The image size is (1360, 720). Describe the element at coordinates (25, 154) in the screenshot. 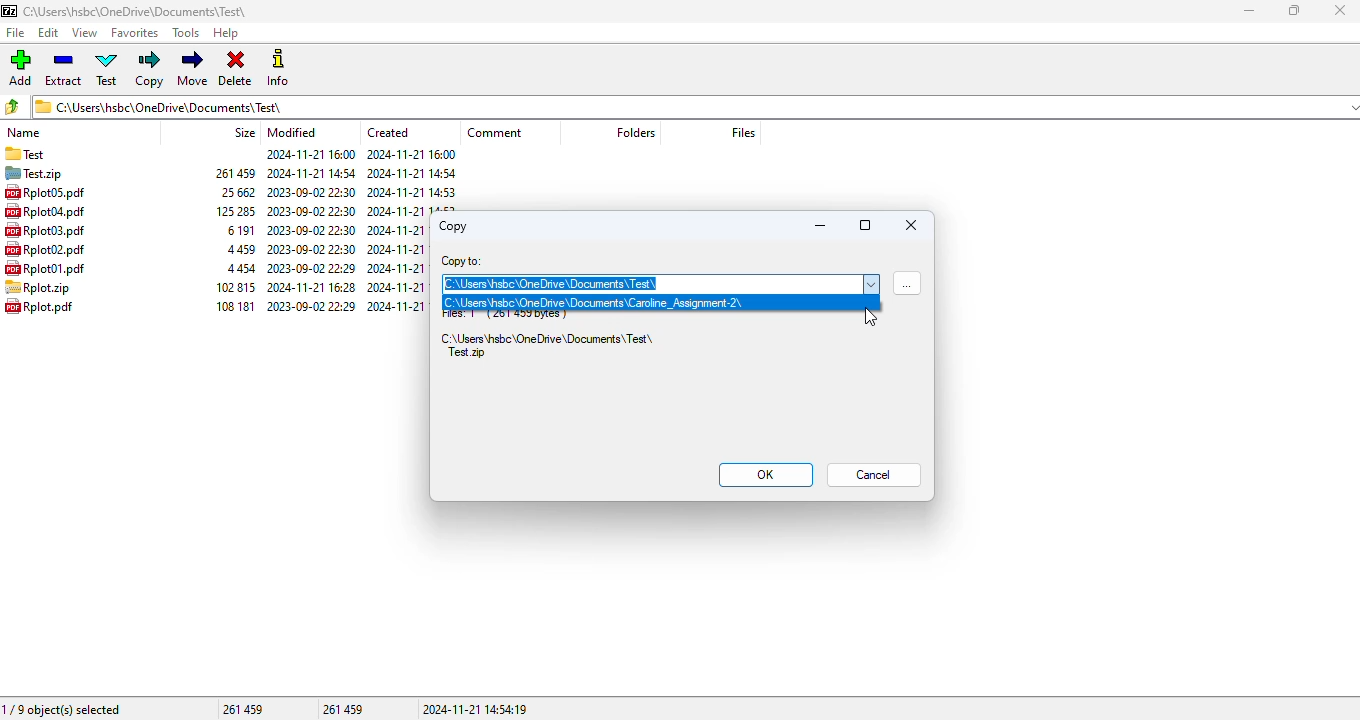

I see `folder name` at that location.